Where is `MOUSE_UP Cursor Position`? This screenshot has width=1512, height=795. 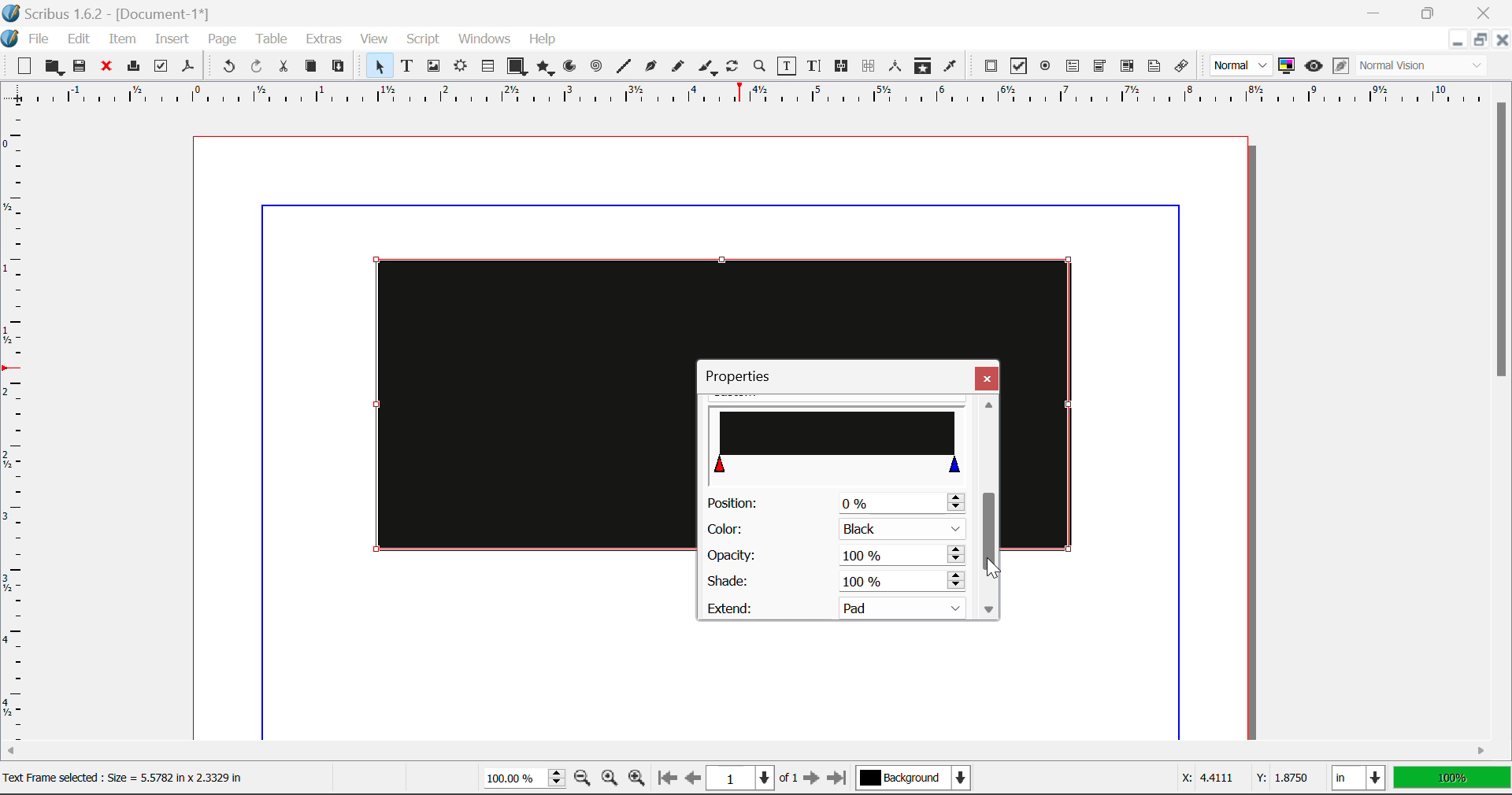 MOUSE_UP Cursor Position is located at coordinates (991, 570).